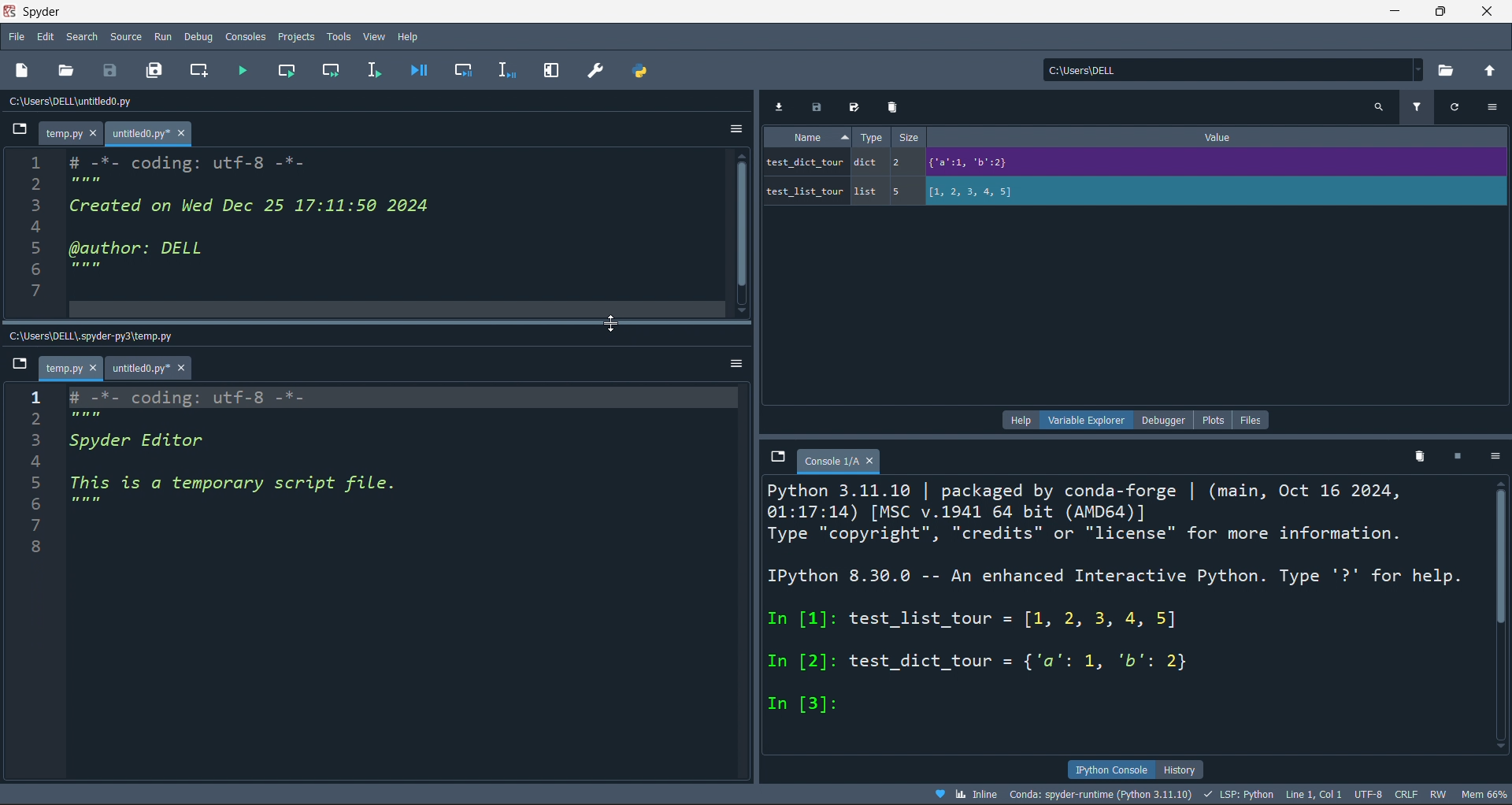 The height and width of the screenshot is (805, 1512). Describe the element at coordinates (1417, 458) in the screenshot. I see `delete` at that location.